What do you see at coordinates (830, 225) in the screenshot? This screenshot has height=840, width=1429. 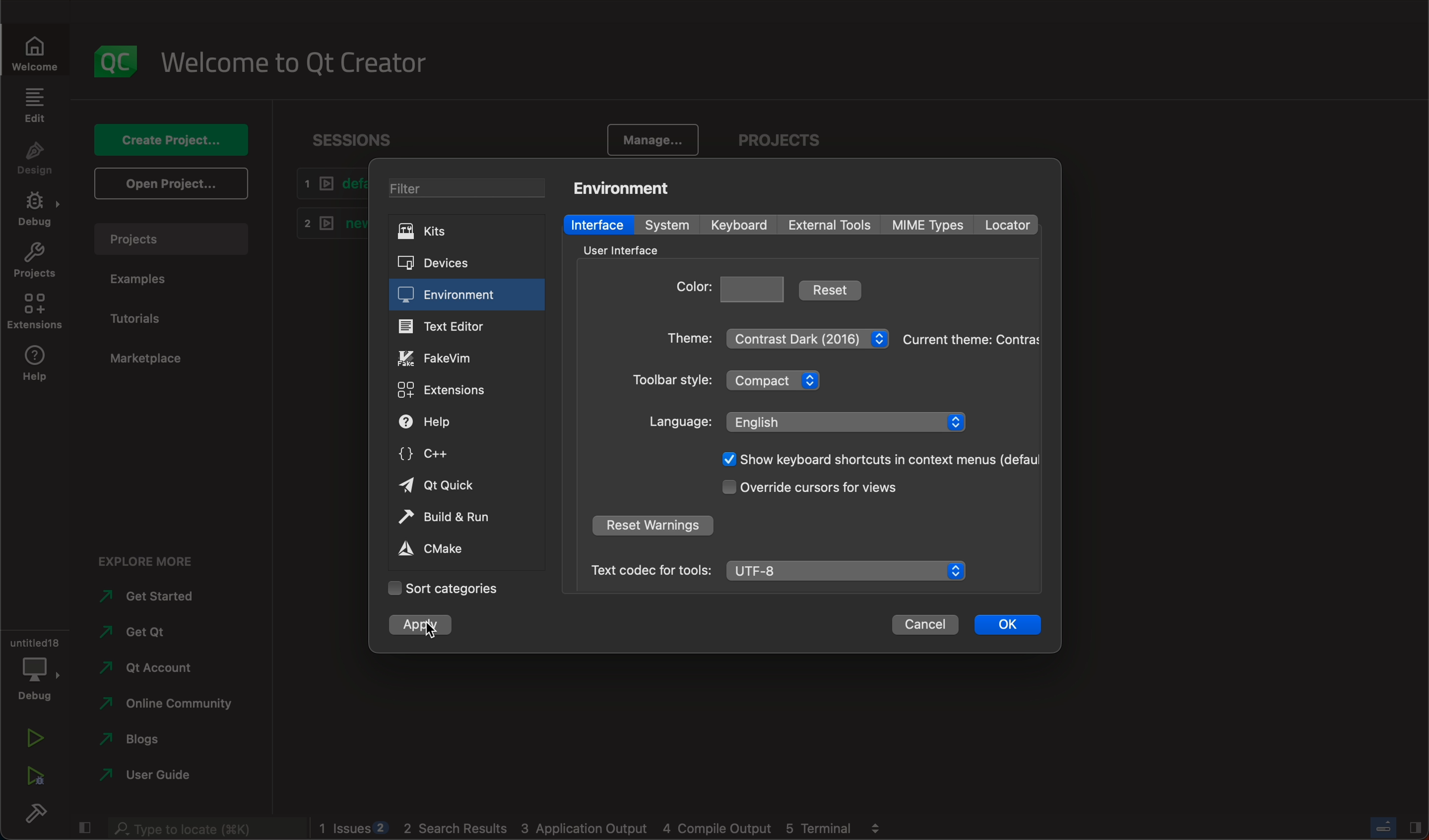 I see `external tools` at bounding box center [830, 225].